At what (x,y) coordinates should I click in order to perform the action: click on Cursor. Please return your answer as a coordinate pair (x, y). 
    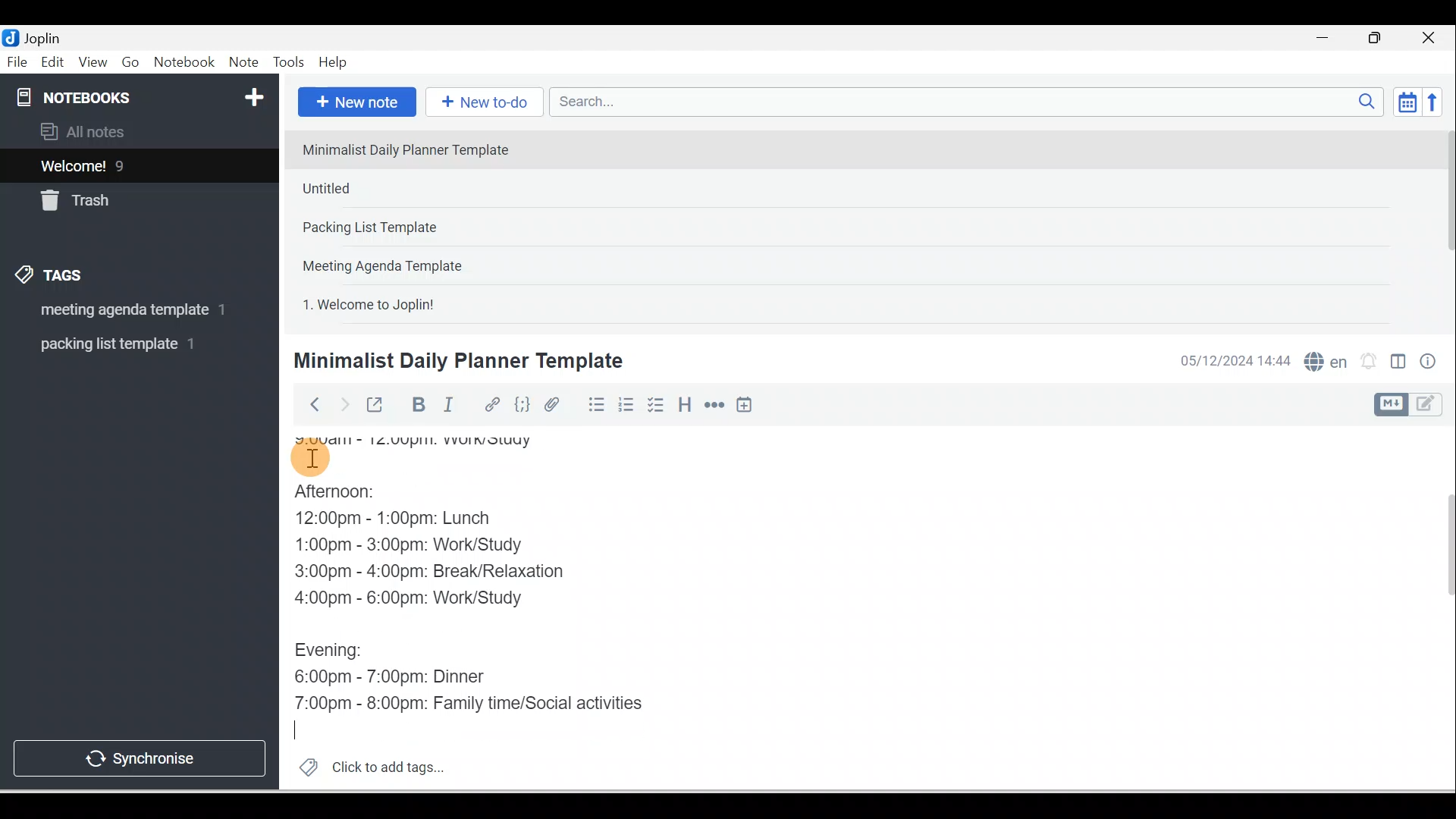
    Looking at the image, I should click on (311, 455).